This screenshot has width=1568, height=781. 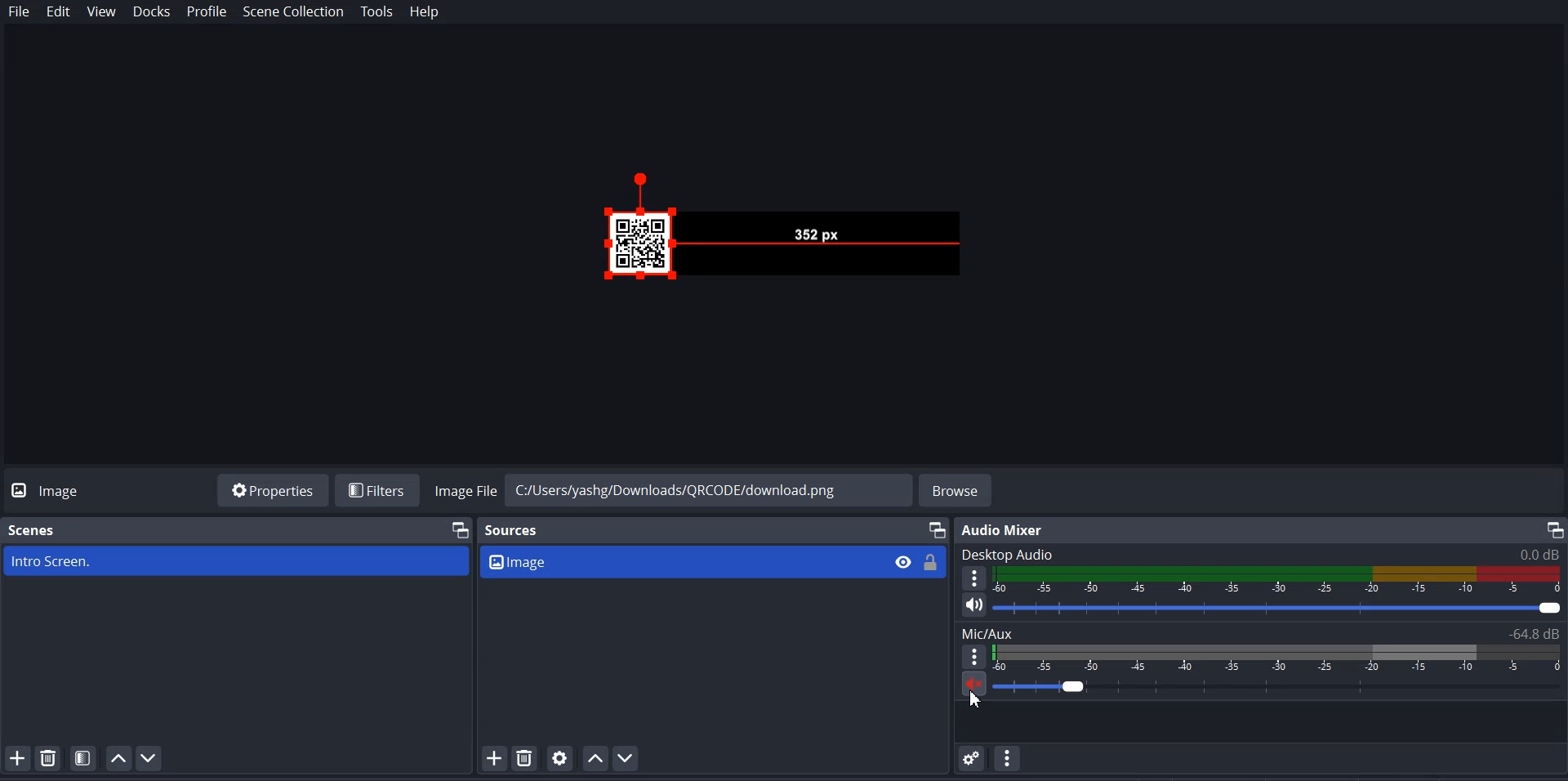 What do you see at coordinates (19, 11) in the screenshot?
I see `File` at bounding box center [19, 11].